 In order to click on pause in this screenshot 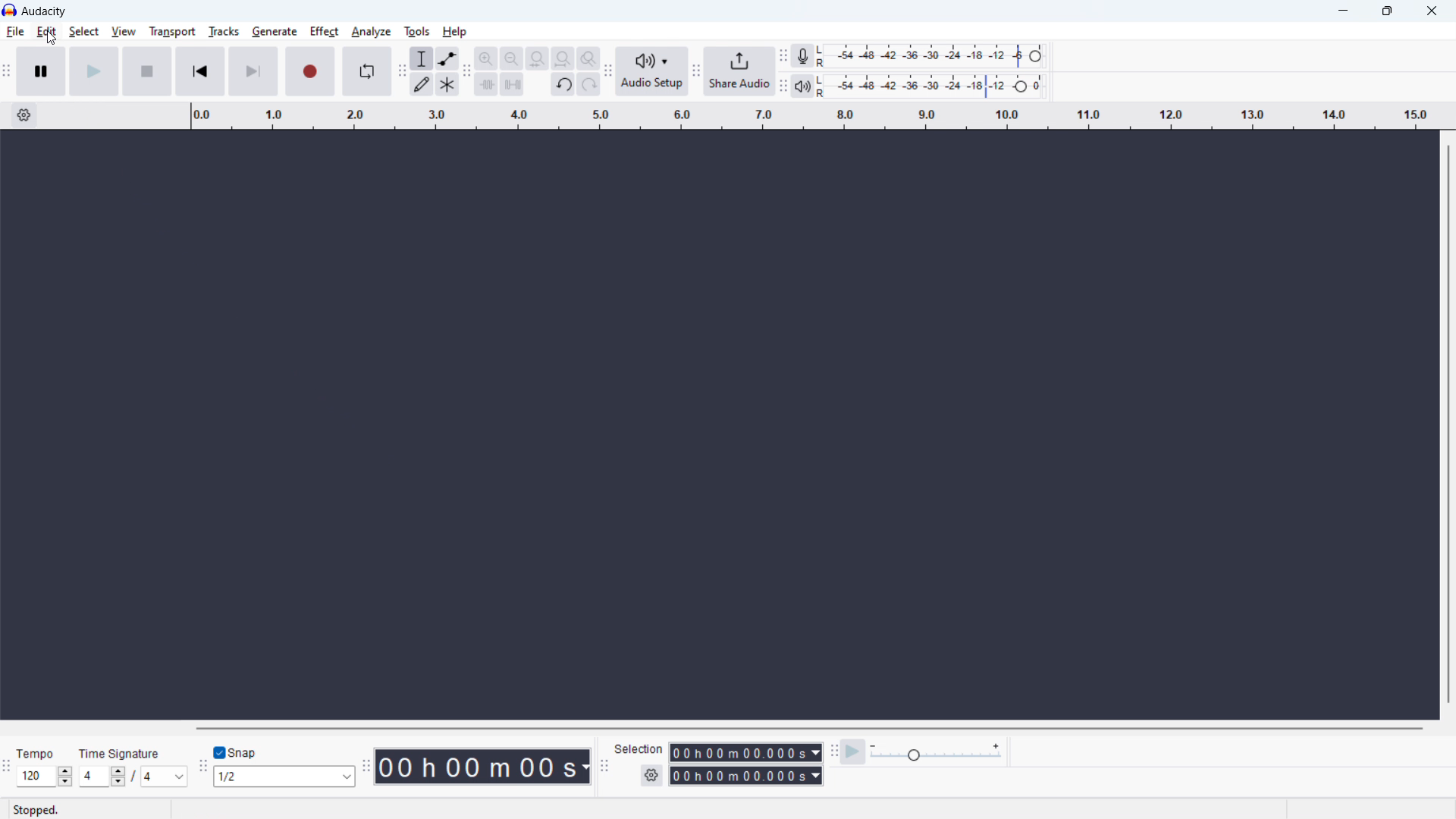, I will do `click(42, 71)`.